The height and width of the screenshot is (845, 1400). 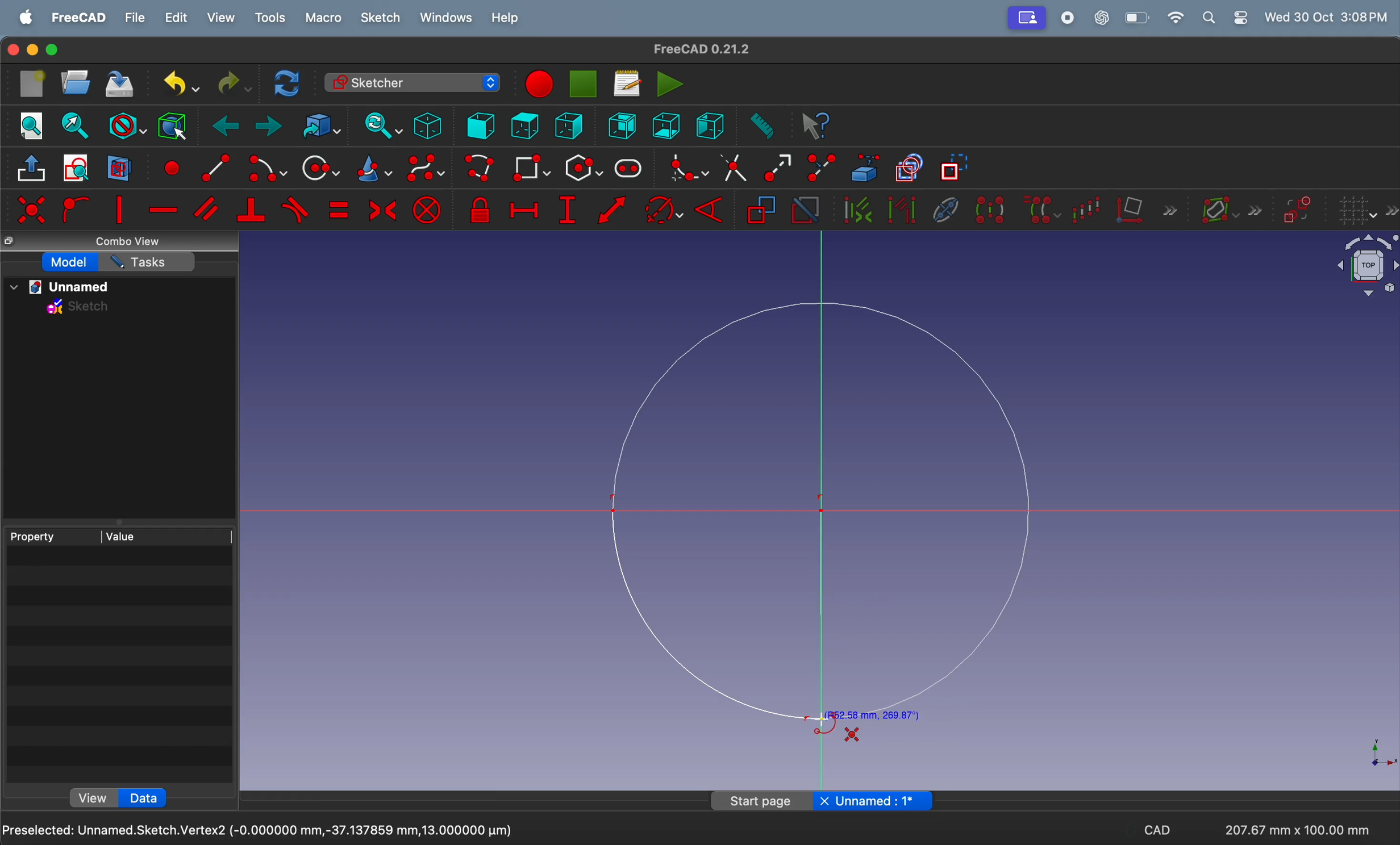 I want to click on constrain block, so click(x=427, y=210).